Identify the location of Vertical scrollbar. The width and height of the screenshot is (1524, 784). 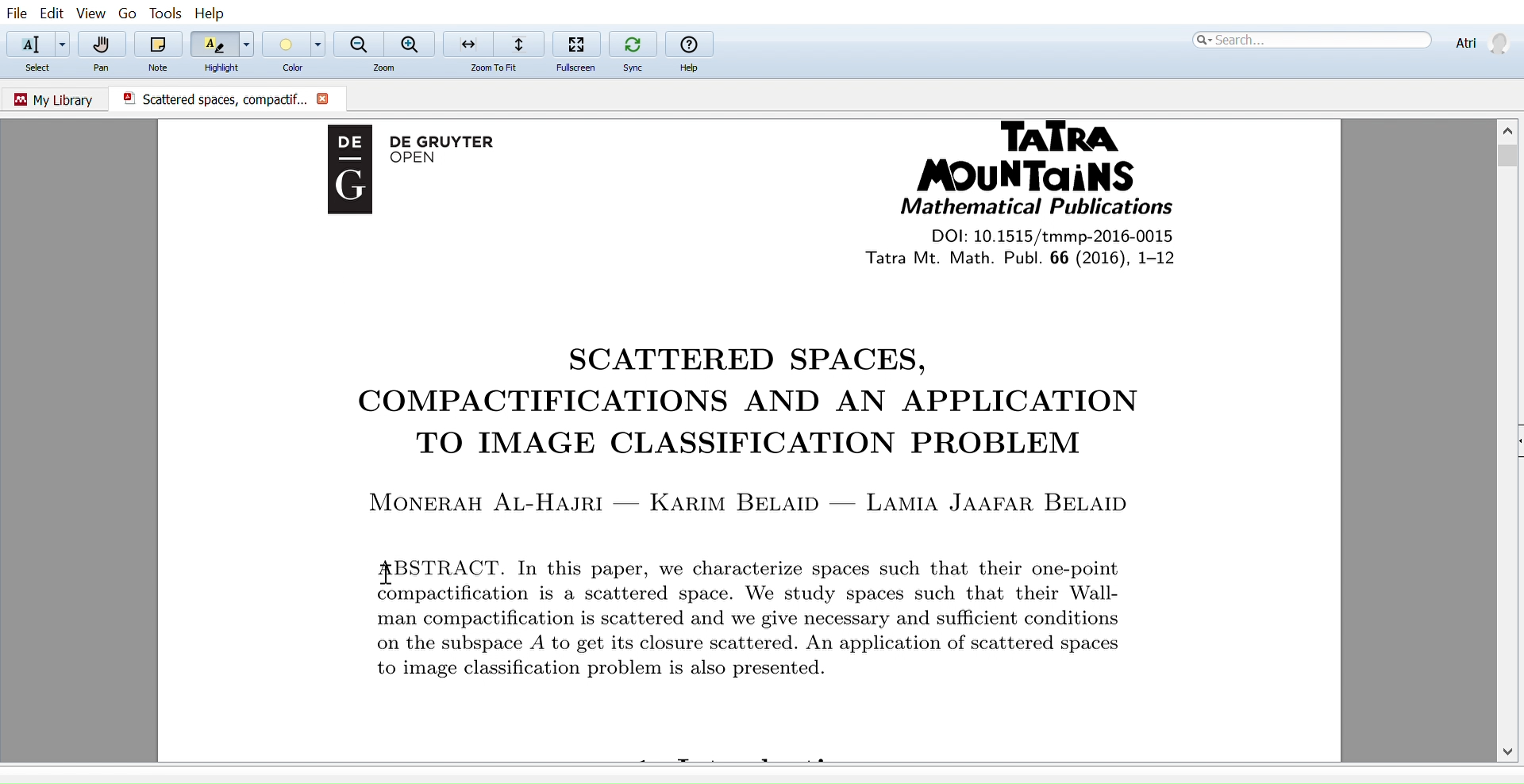
(1510, 158).